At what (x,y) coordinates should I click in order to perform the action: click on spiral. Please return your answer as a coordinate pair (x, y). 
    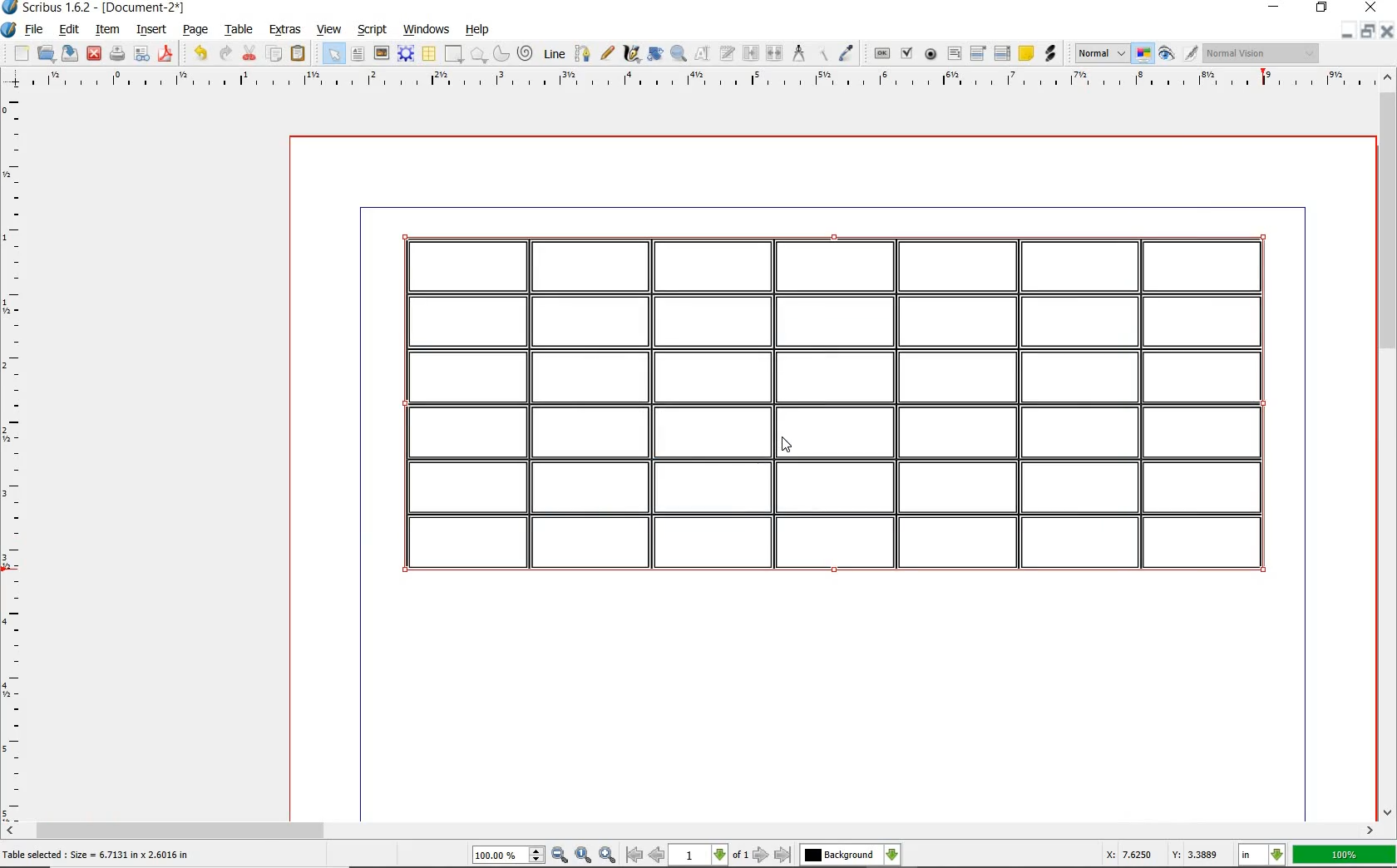
    Looking at the image, I should click on (526, 54).